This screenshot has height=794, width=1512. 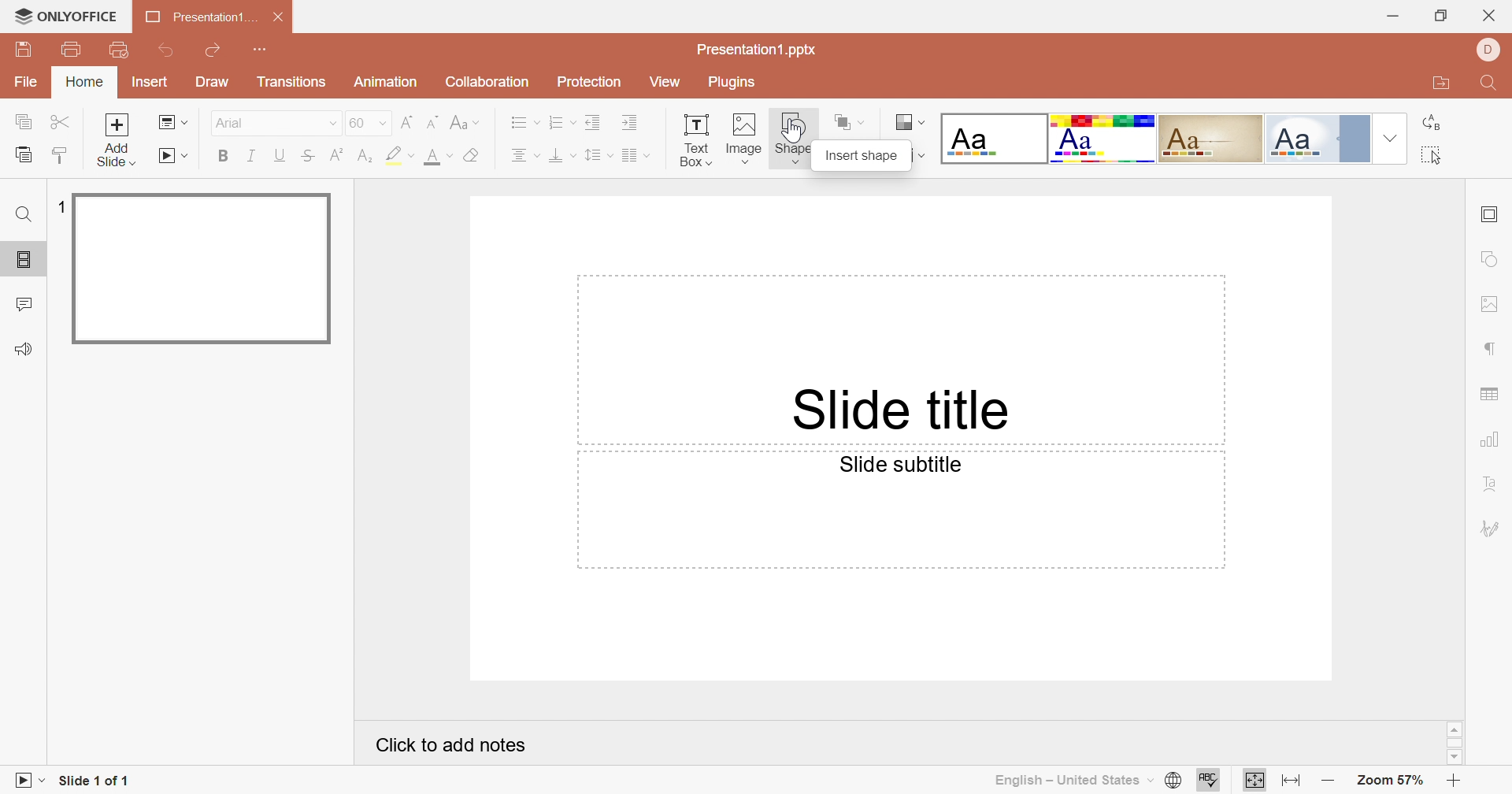 I want to click on Signature settings, so click(x=1492, y=525).